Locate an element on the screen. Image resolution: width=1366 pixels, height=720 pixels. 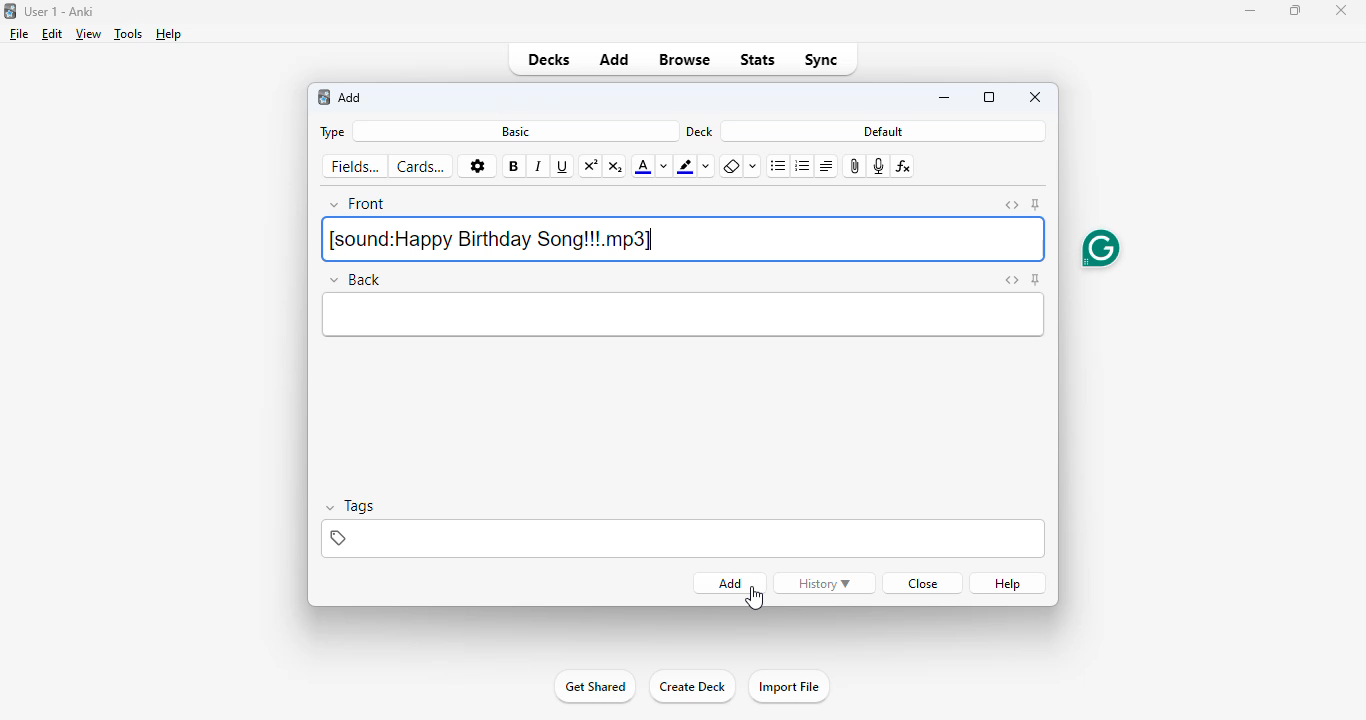
unordered list is located at coordinates (778, 166).